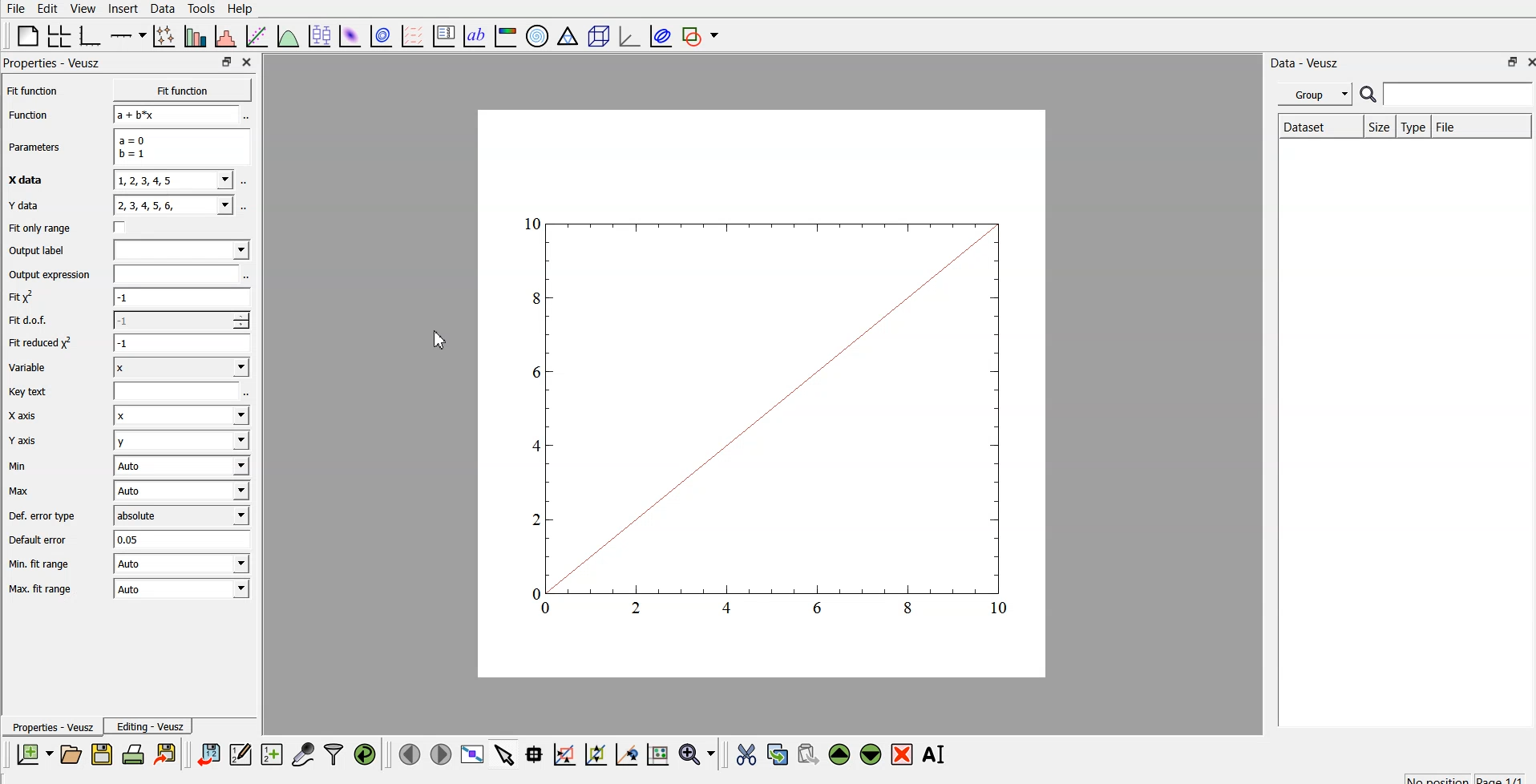  Describe the element at coordinates (155, 725) in the screenshot. I see `Editing - Veusz` at that location.